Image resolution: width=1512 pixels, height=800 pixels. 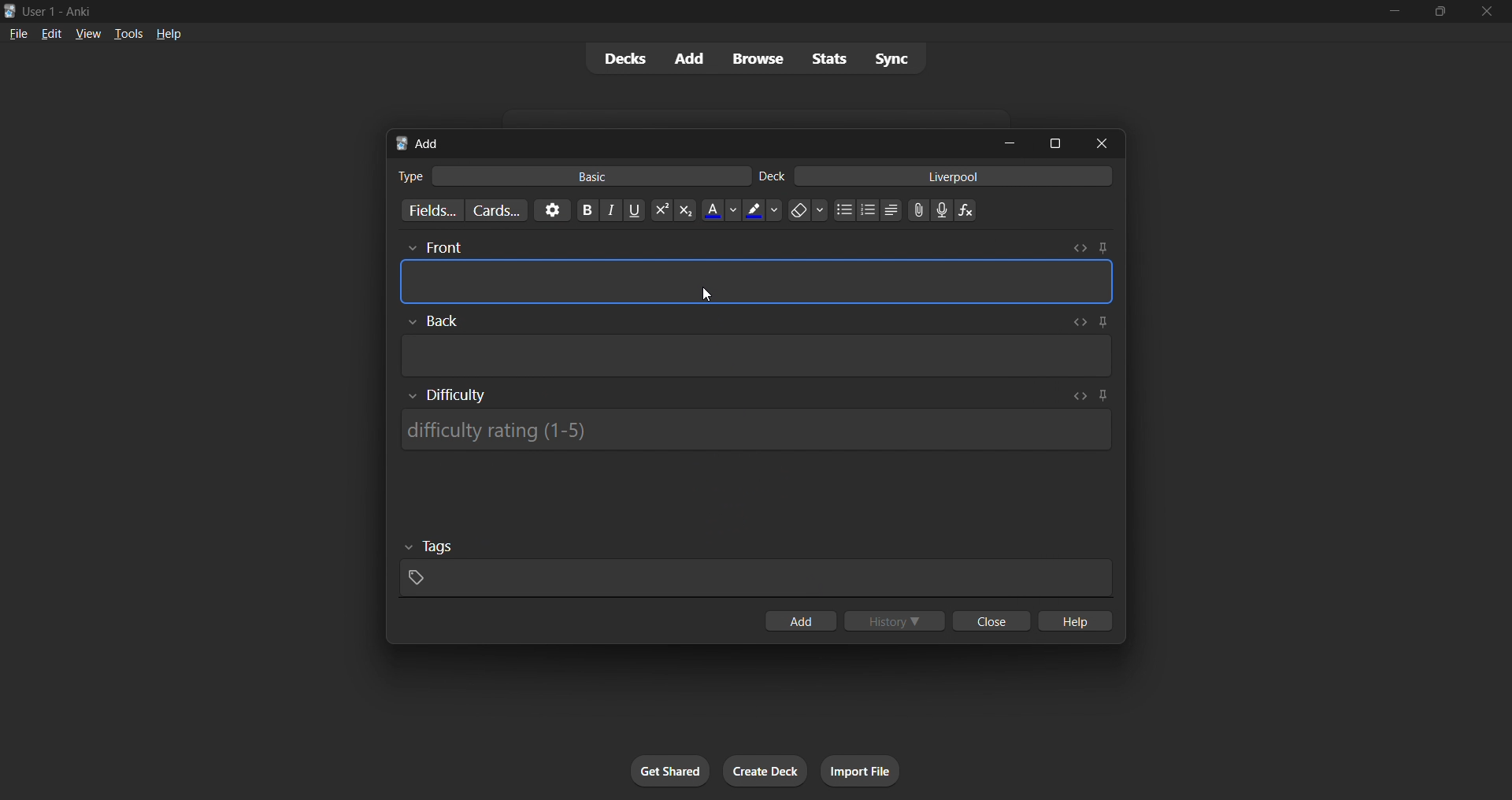 What do you see at coordinates (10, 11) in the screenshot?
I see `Anki logo` at bounding box center [10, 11].